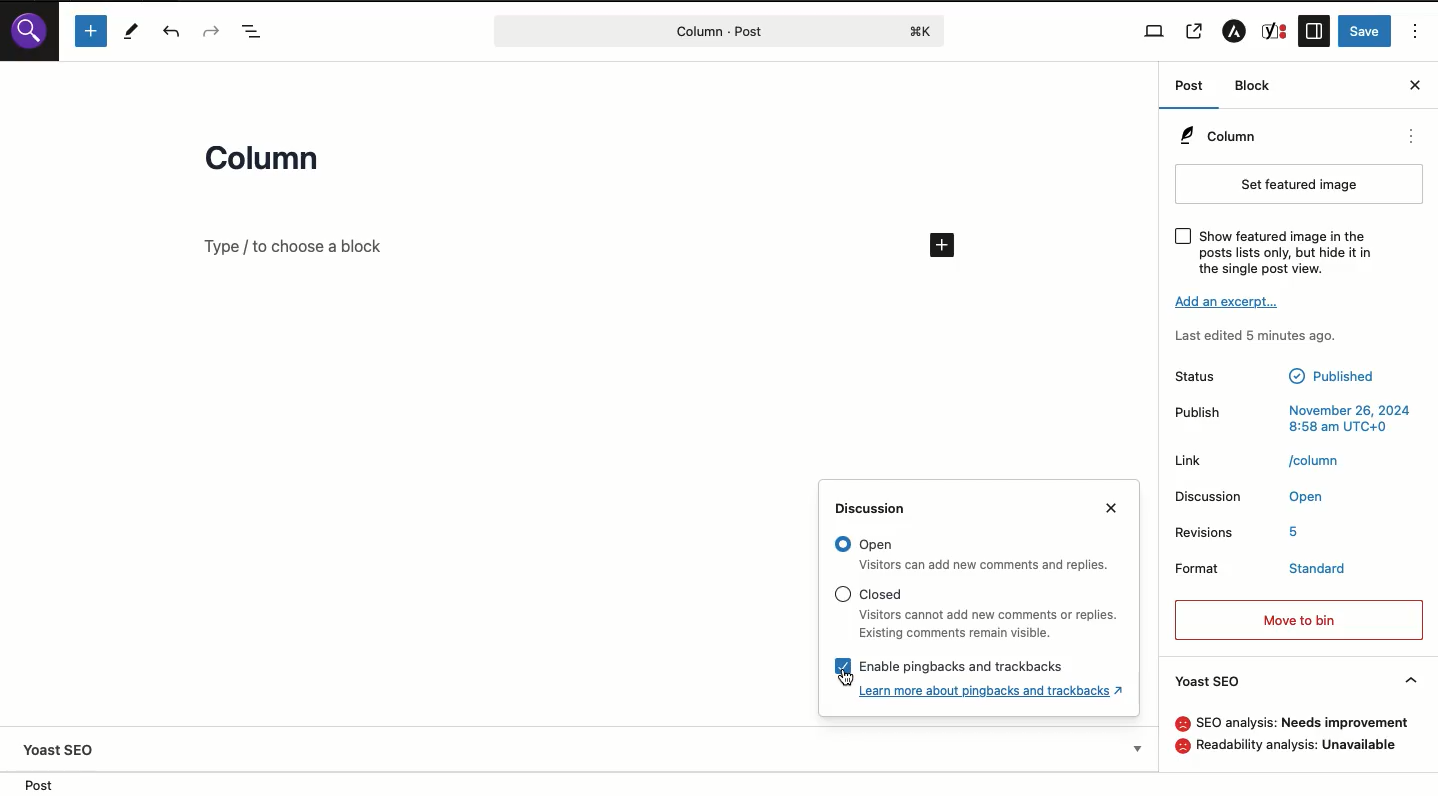 The image size is (1438, 796). What do you see at coordinates (987, 565) in the screenshot?
I see `Open` at bounding box center [987, 565].